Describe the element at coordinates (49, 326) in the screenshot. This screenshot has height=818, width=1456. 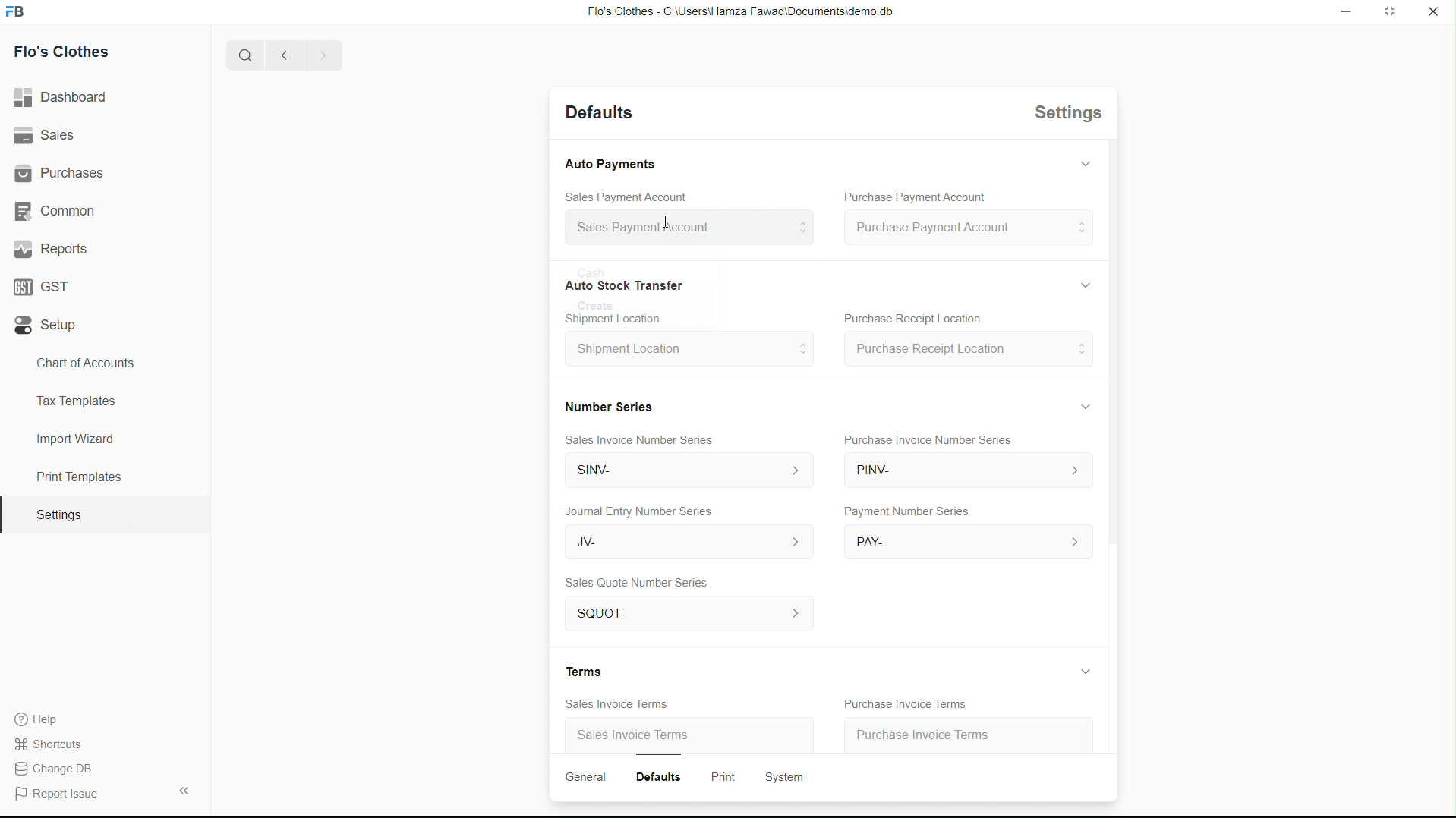
I see `Setup` at that location.